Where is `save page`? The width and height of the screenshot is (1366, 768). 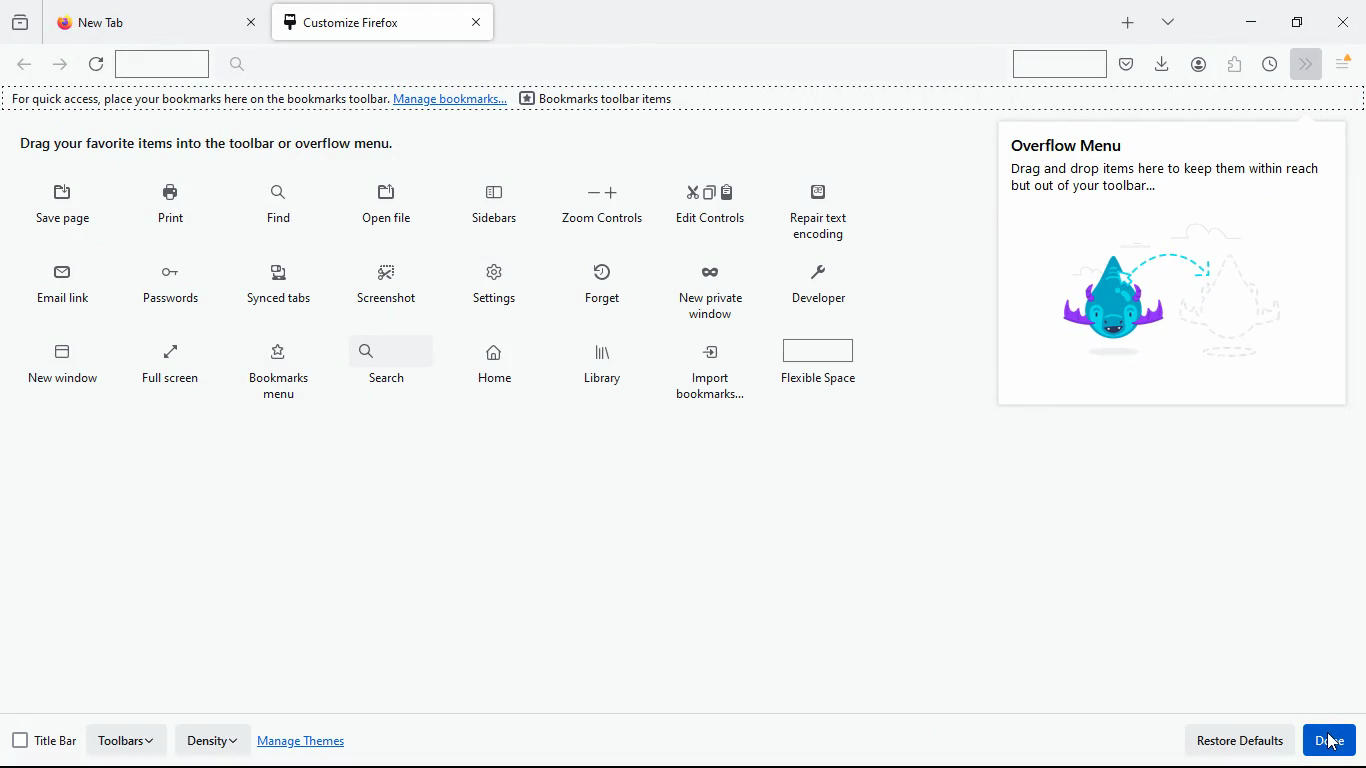
save page is located at coordinates (172, 209).